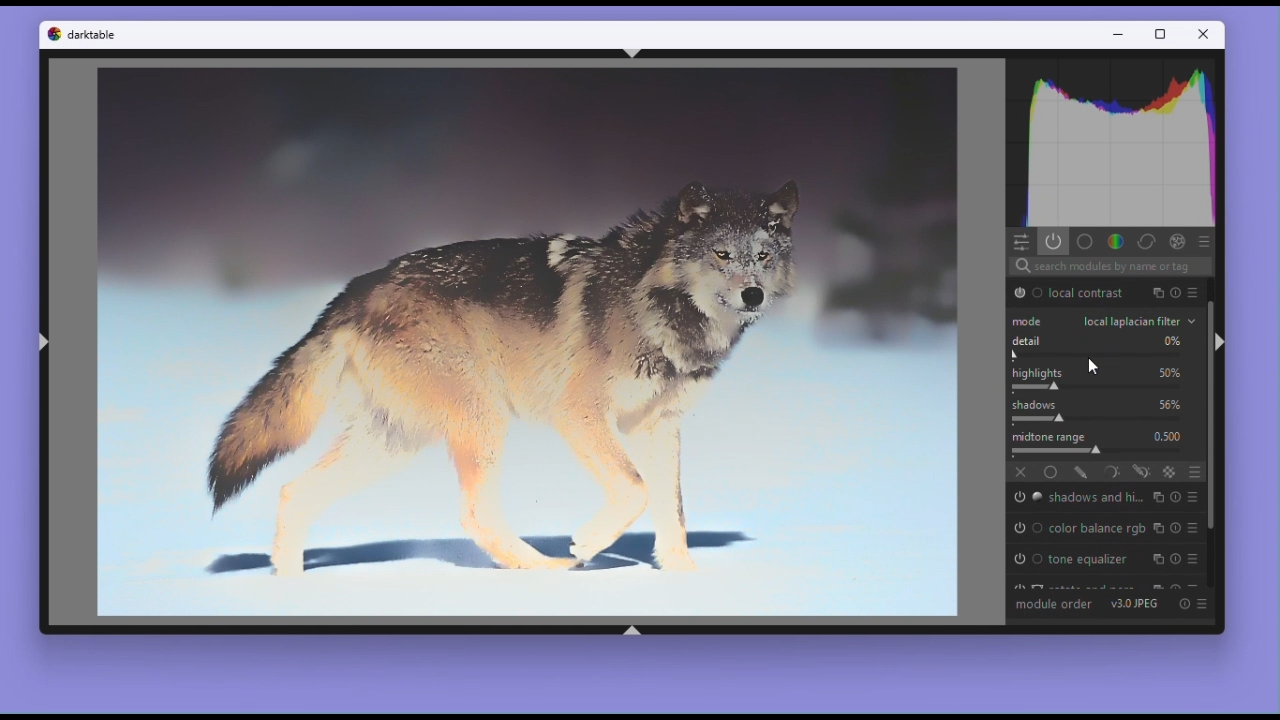  I want to click on Detail 0%, so click(1106, 339).